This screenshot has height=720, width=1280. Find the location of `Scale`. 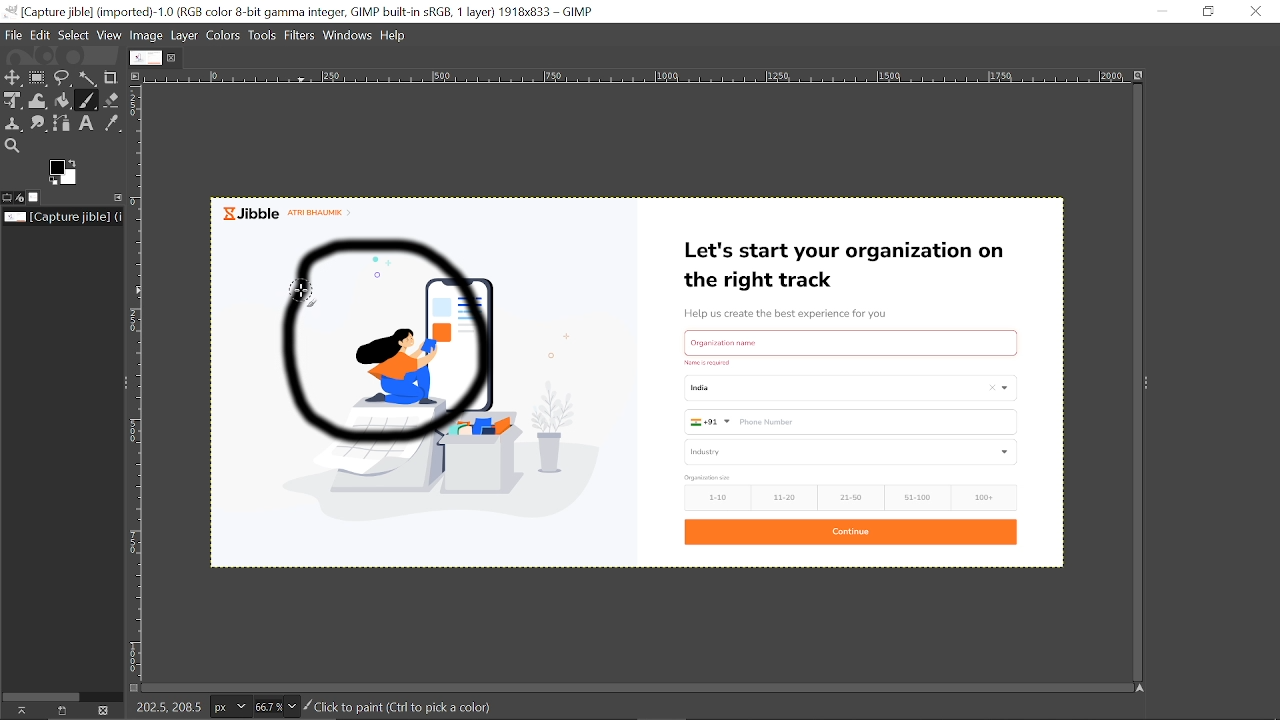

Scale is located at coordinates (141, 390).